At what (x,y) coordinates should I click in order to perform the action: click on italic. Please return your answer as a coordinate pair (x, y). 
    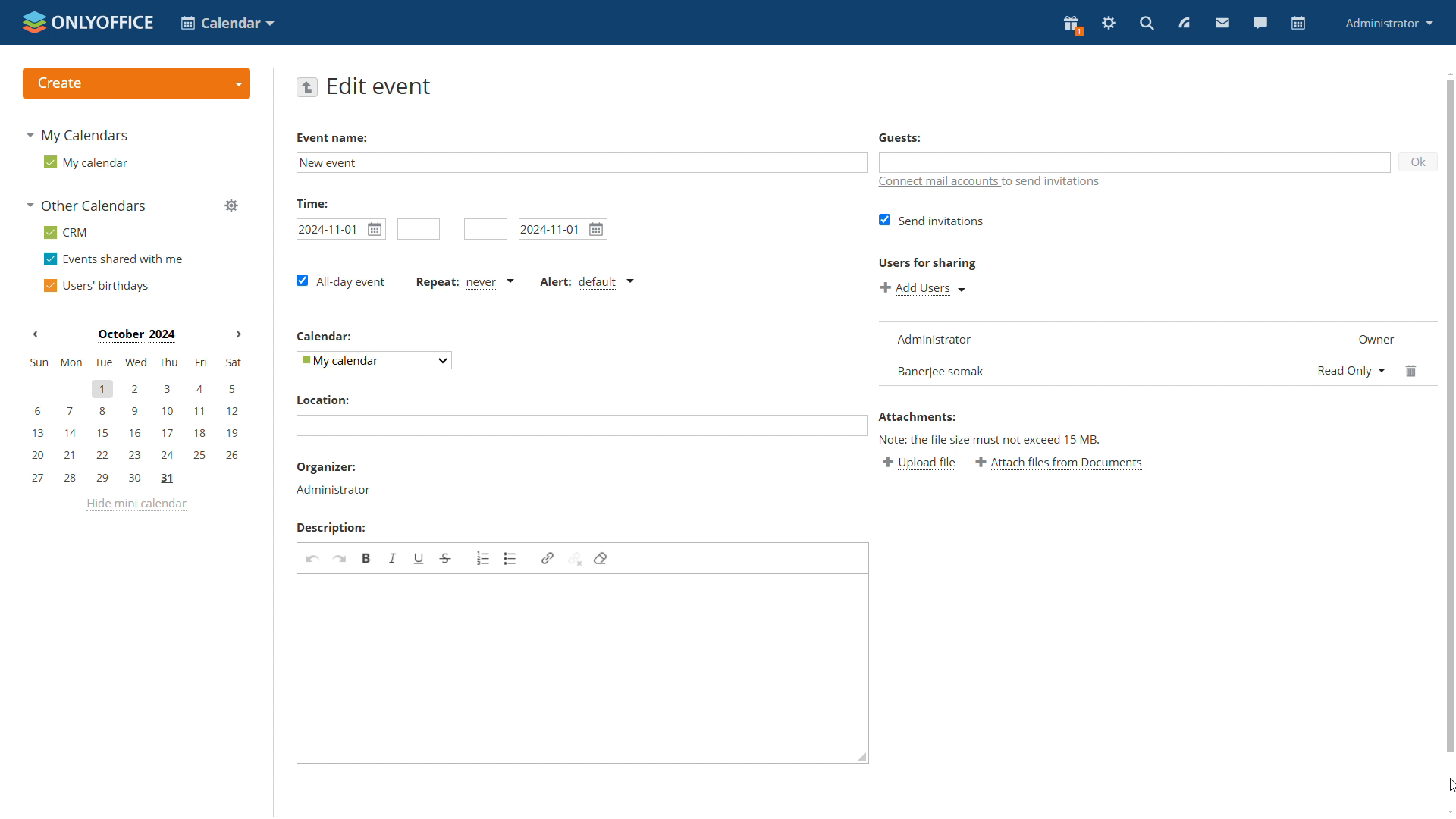
    Looking at the image, I should click on (392, 559).